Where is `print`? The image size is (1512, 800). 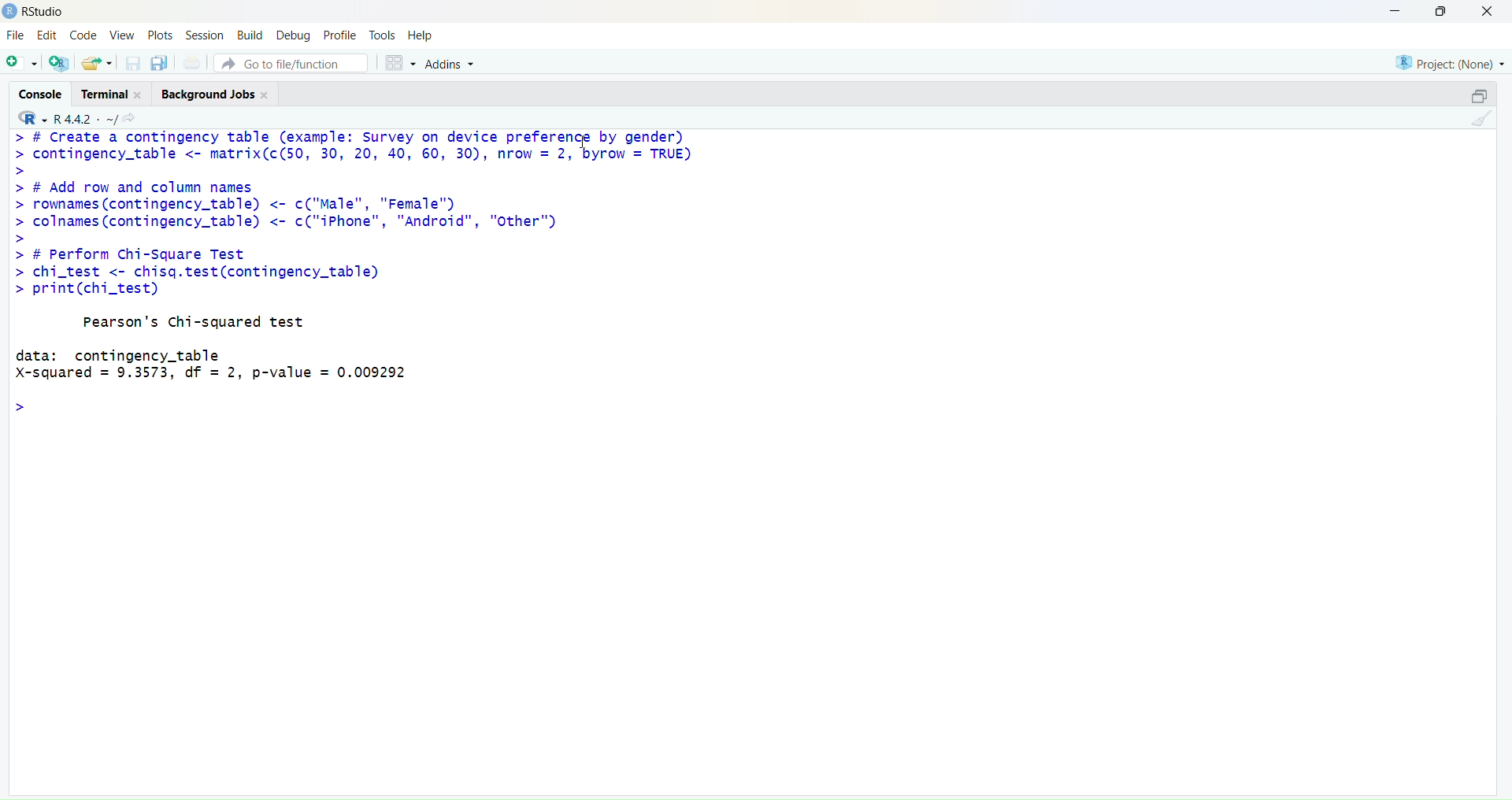 print is located at coordinates (191, 61).